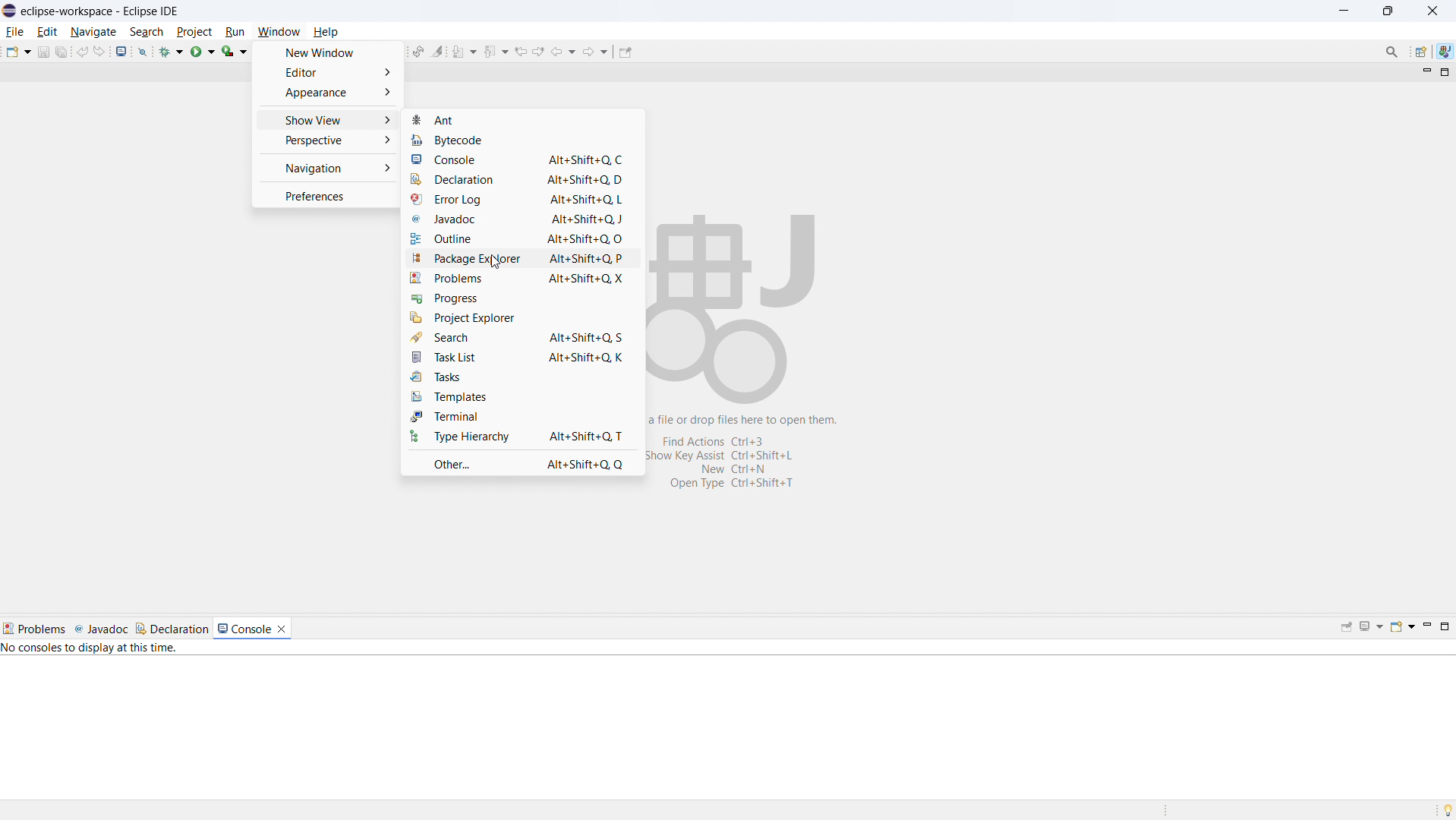 Image resolution: width=1456 pixels, height=820 pixels. What do you see at coordinates (244, 629) in the screenshot?
I see `console` at bounding box center [244, 629].